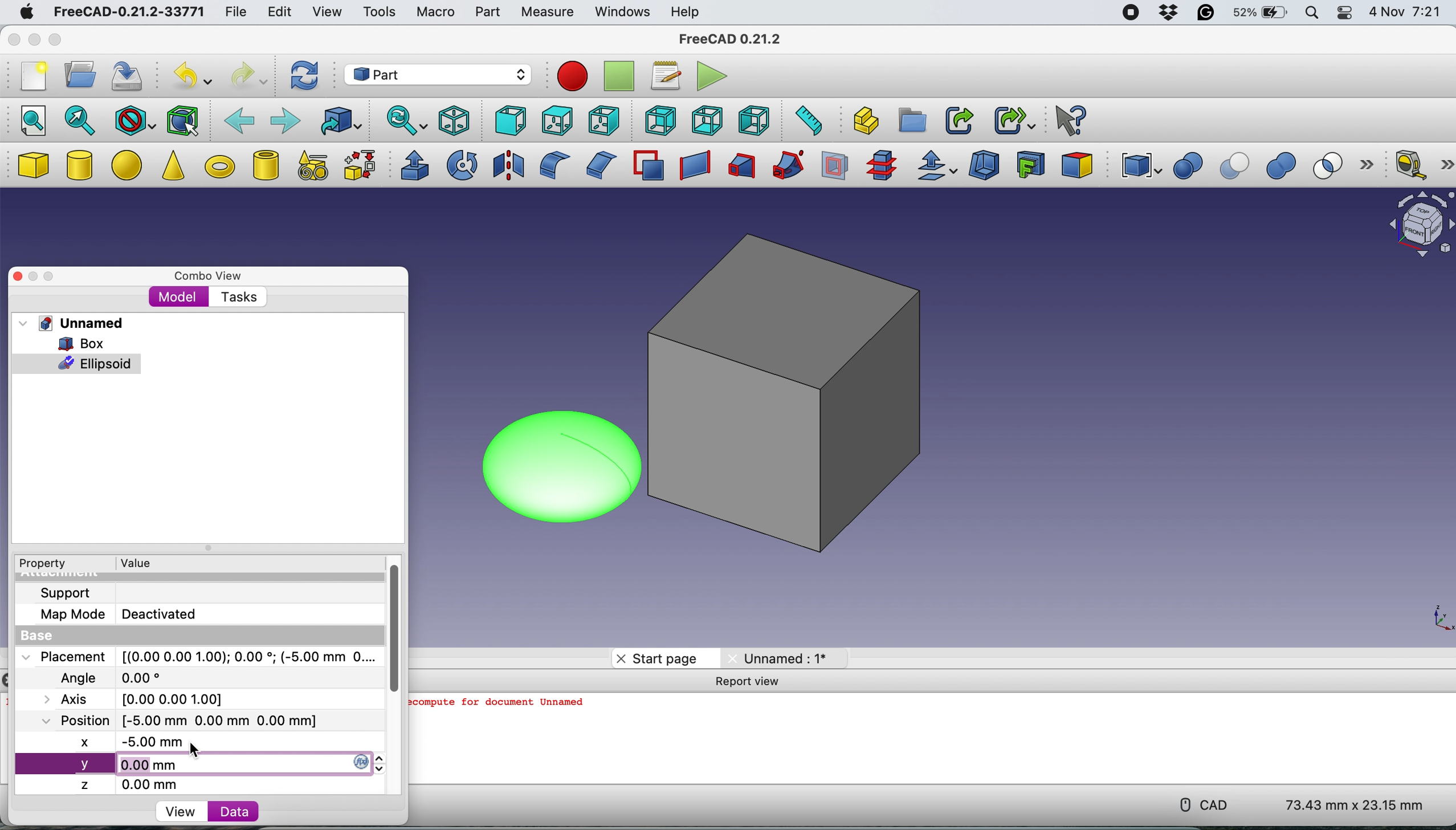 The image size is (1456, 830). What do you see at coordinates (28, 119) in the screenshot?
I see `fit all` at bounding box center [28, 119].